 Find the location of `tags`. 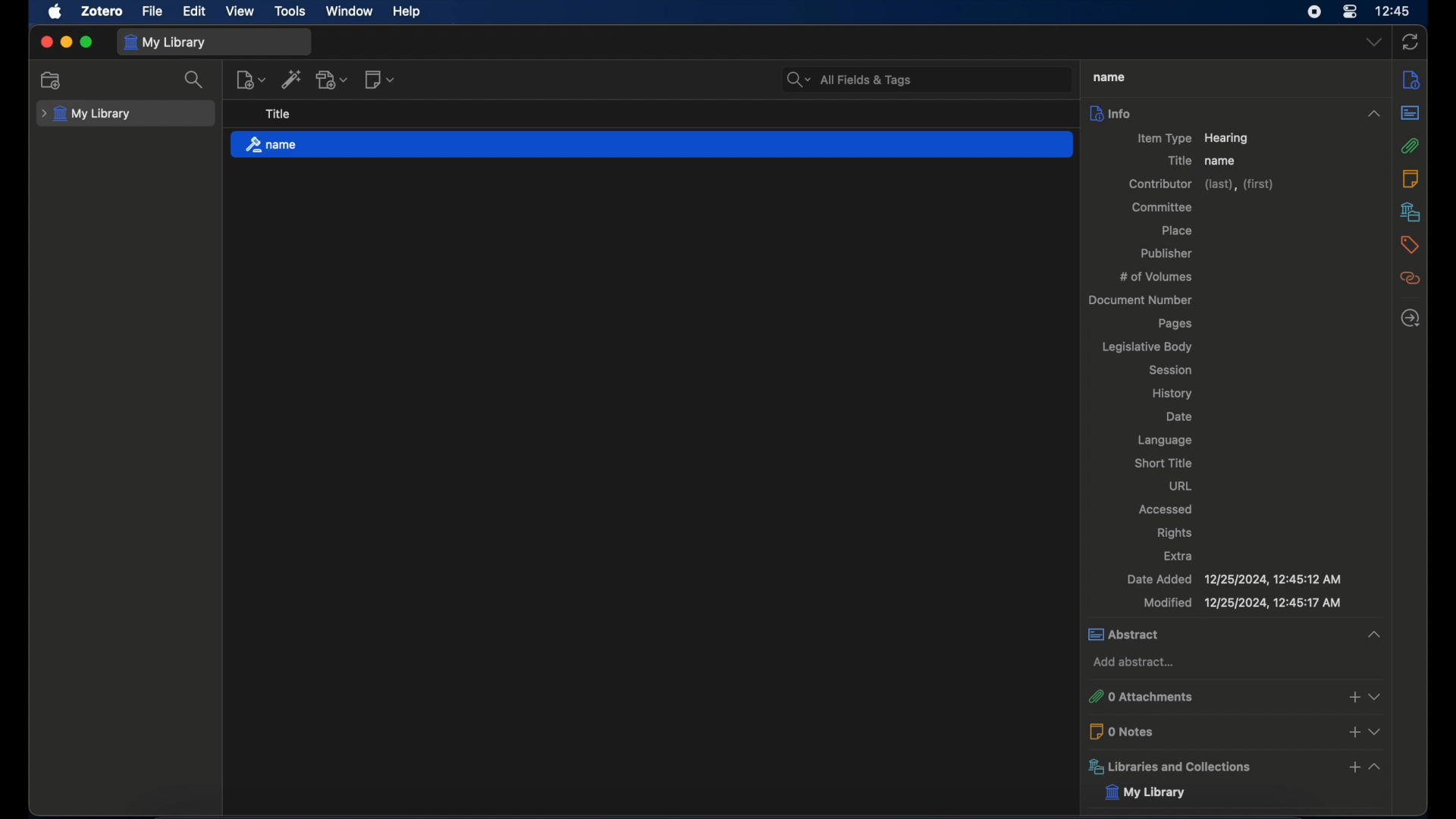

tags is located at coordinates (1410, 245).